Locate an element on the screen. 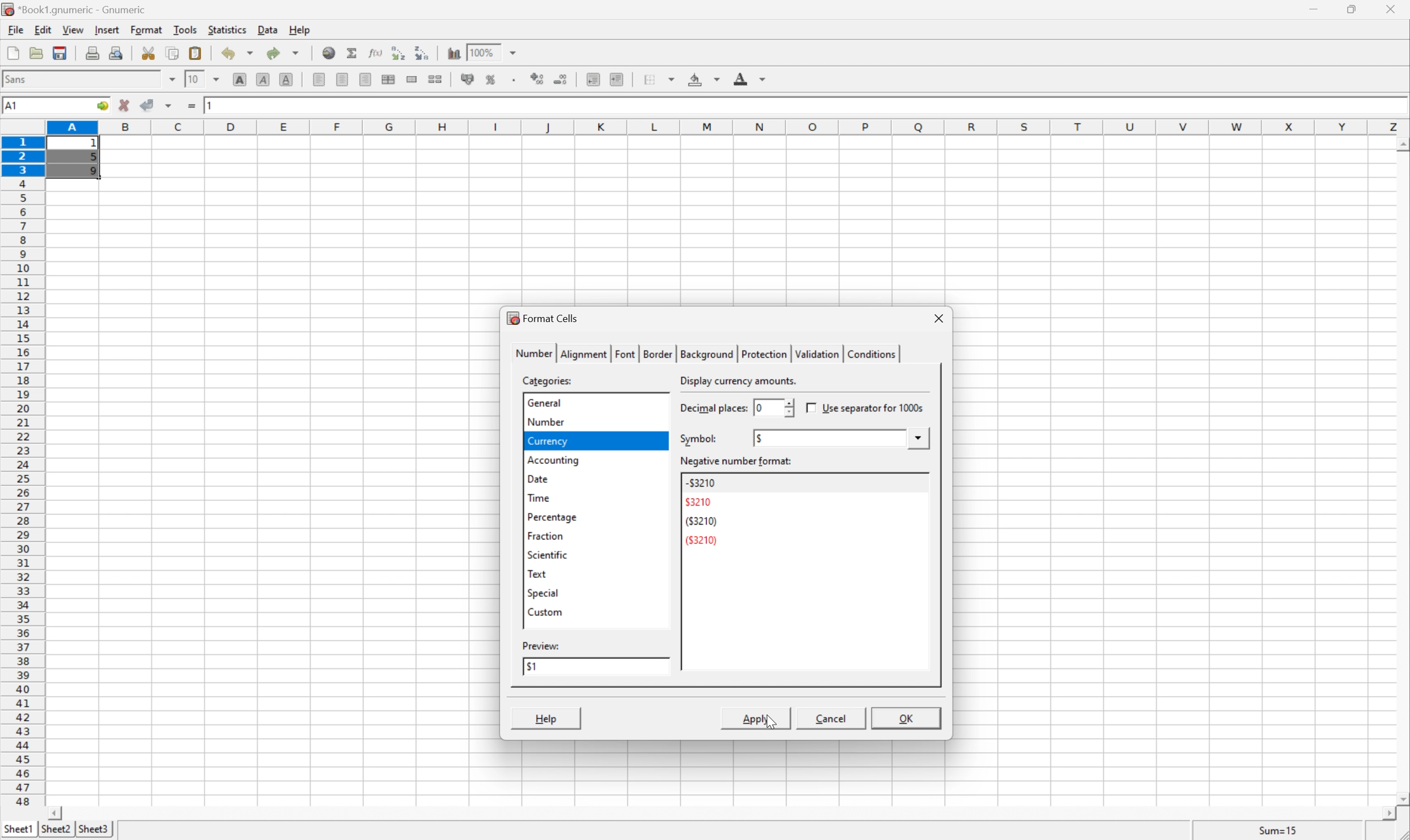 This screenshot has height=840, width=1410. open a file is located at coordinates (35, 51).